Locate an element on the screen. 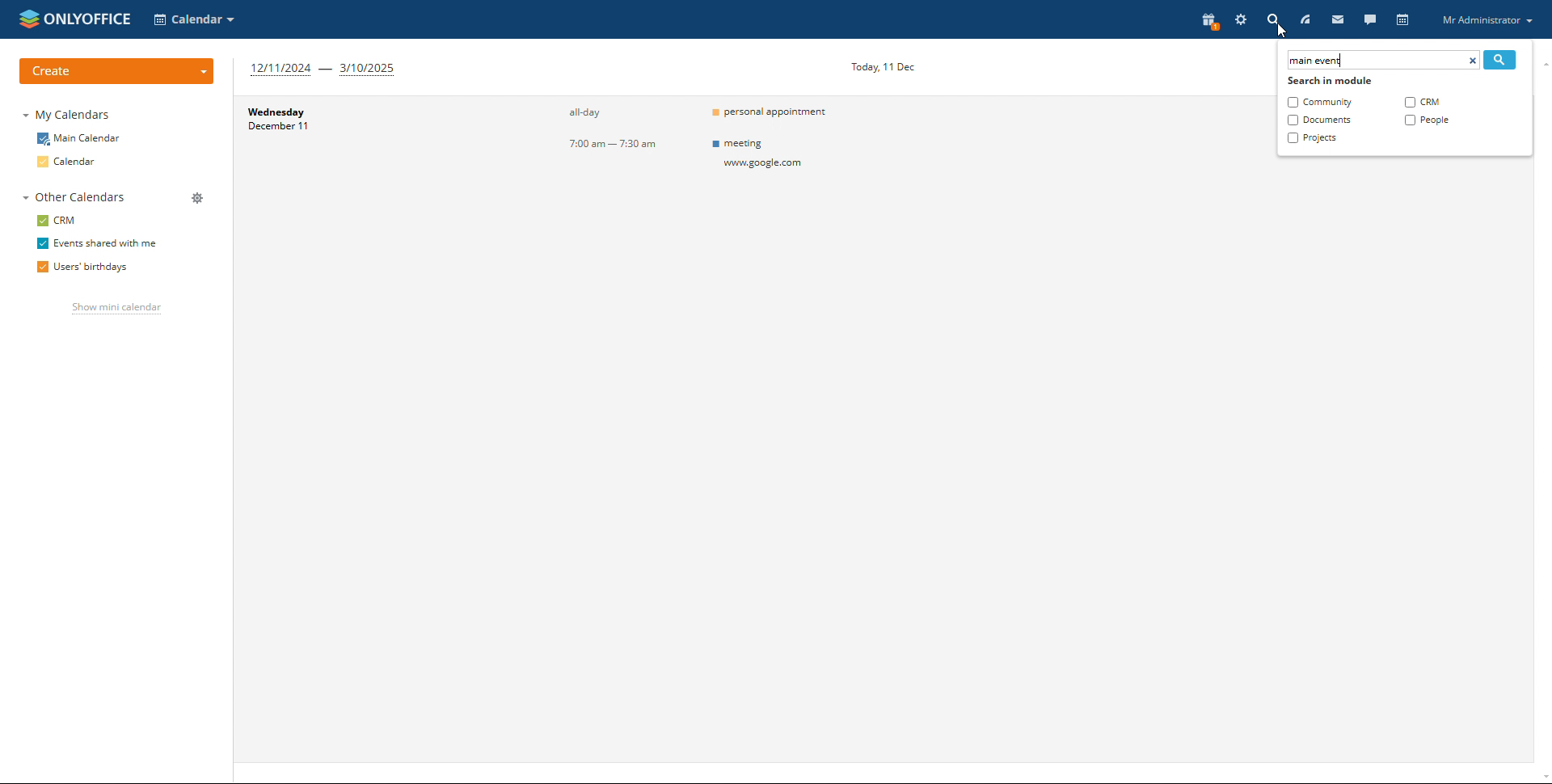 This screenshot has height=784, width=1552. other calendars is located at coordinates (76, 196).